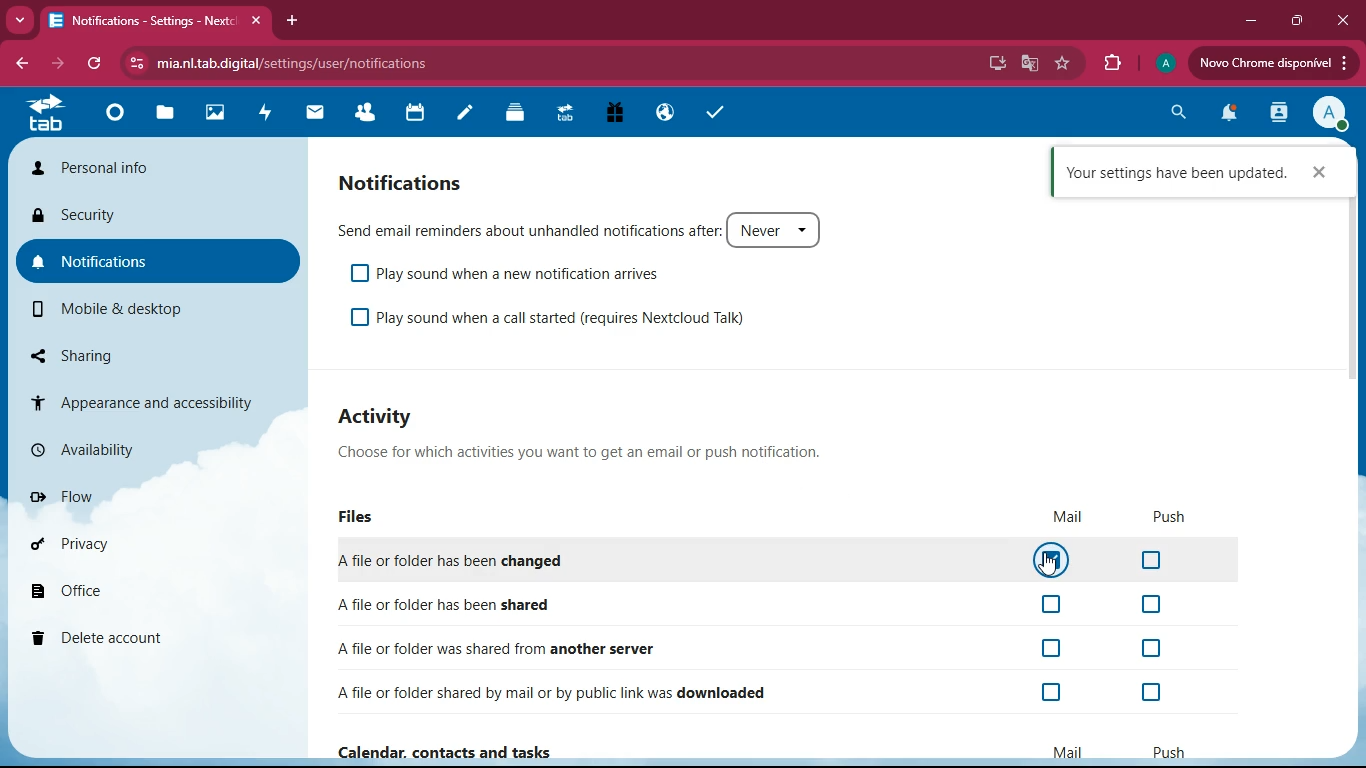 The image size is (1366, 768). Describe the element at coordinates (19, 21) in the screenshot. I see `more` at that location.